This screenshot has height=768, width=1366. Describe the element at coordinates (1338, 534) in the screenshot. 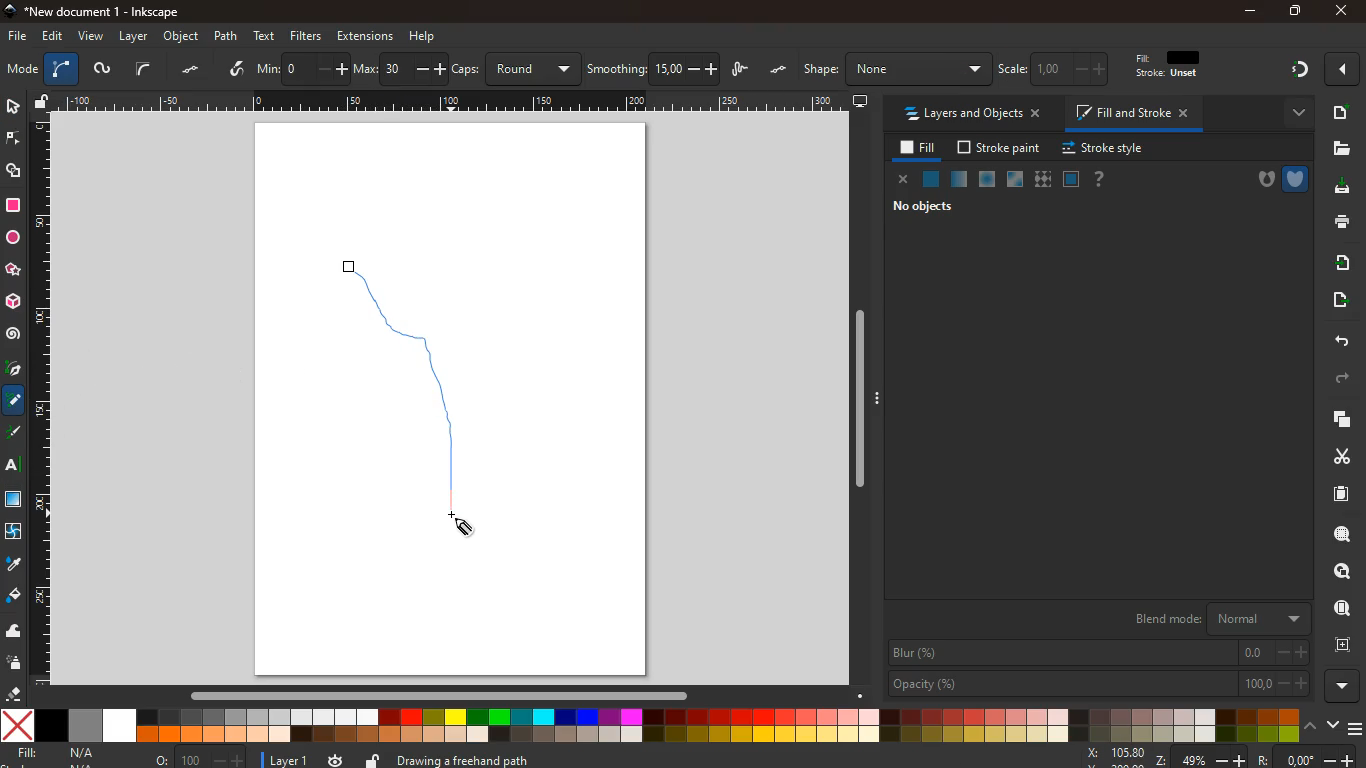

I see `search` at that location.